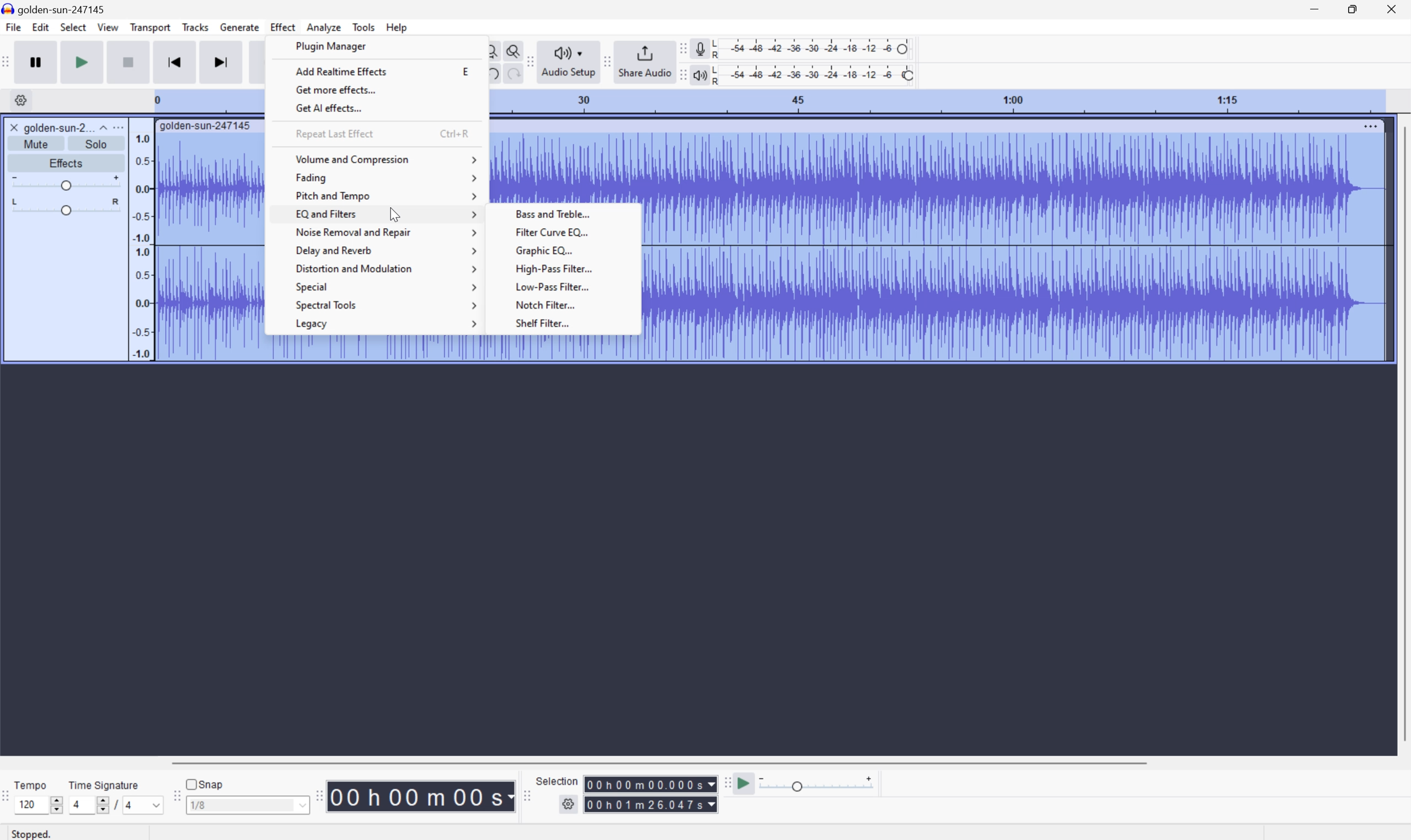 Image resolution: width=1411 pixels, height=840 pixels. What do you see at coordinates (572, 216) in the screenshot?
I see `Bass and treble...` at bounding box center [572, 216].